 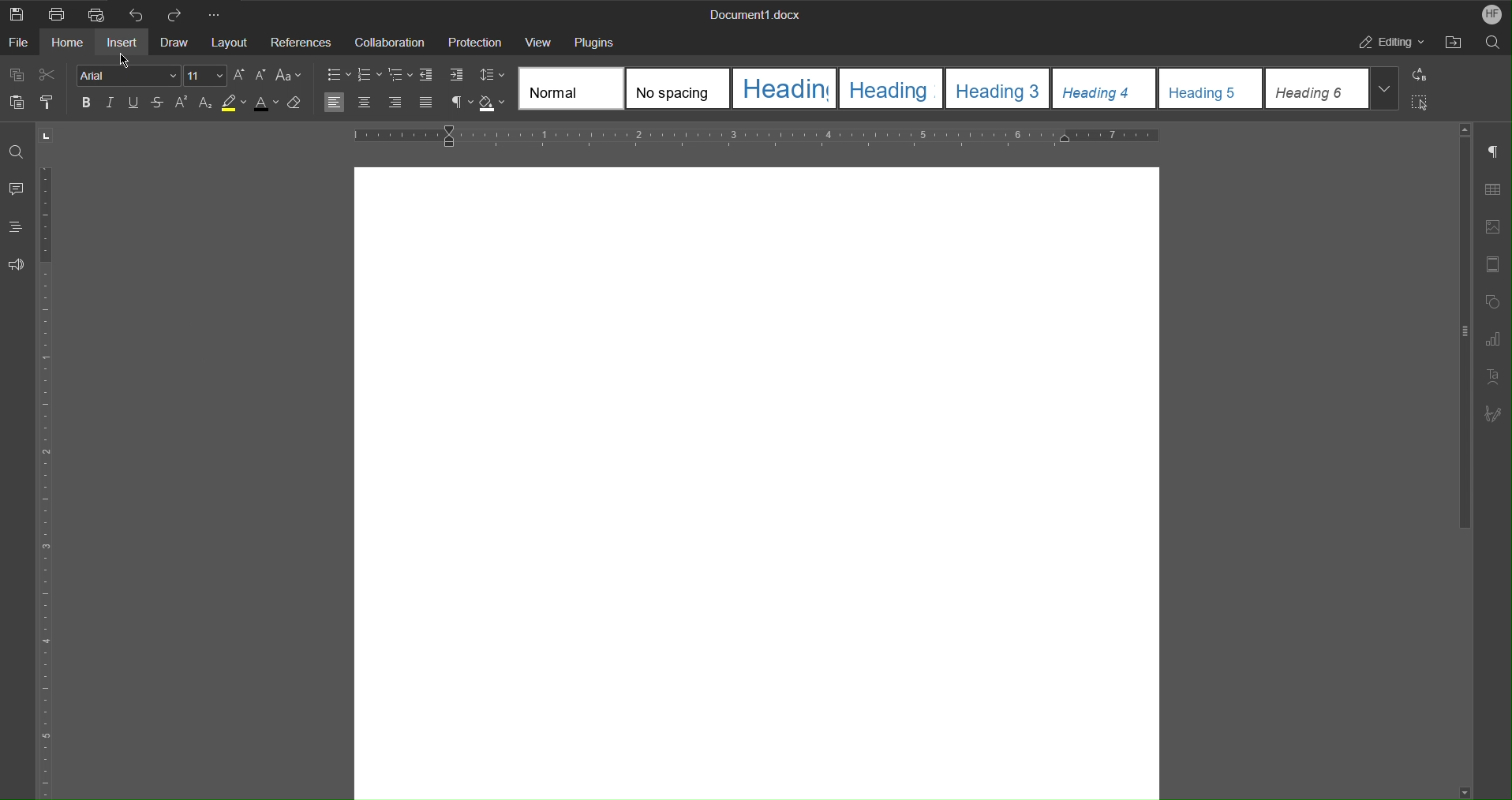 I want to click on Increase size, so click(x=241, y=77).